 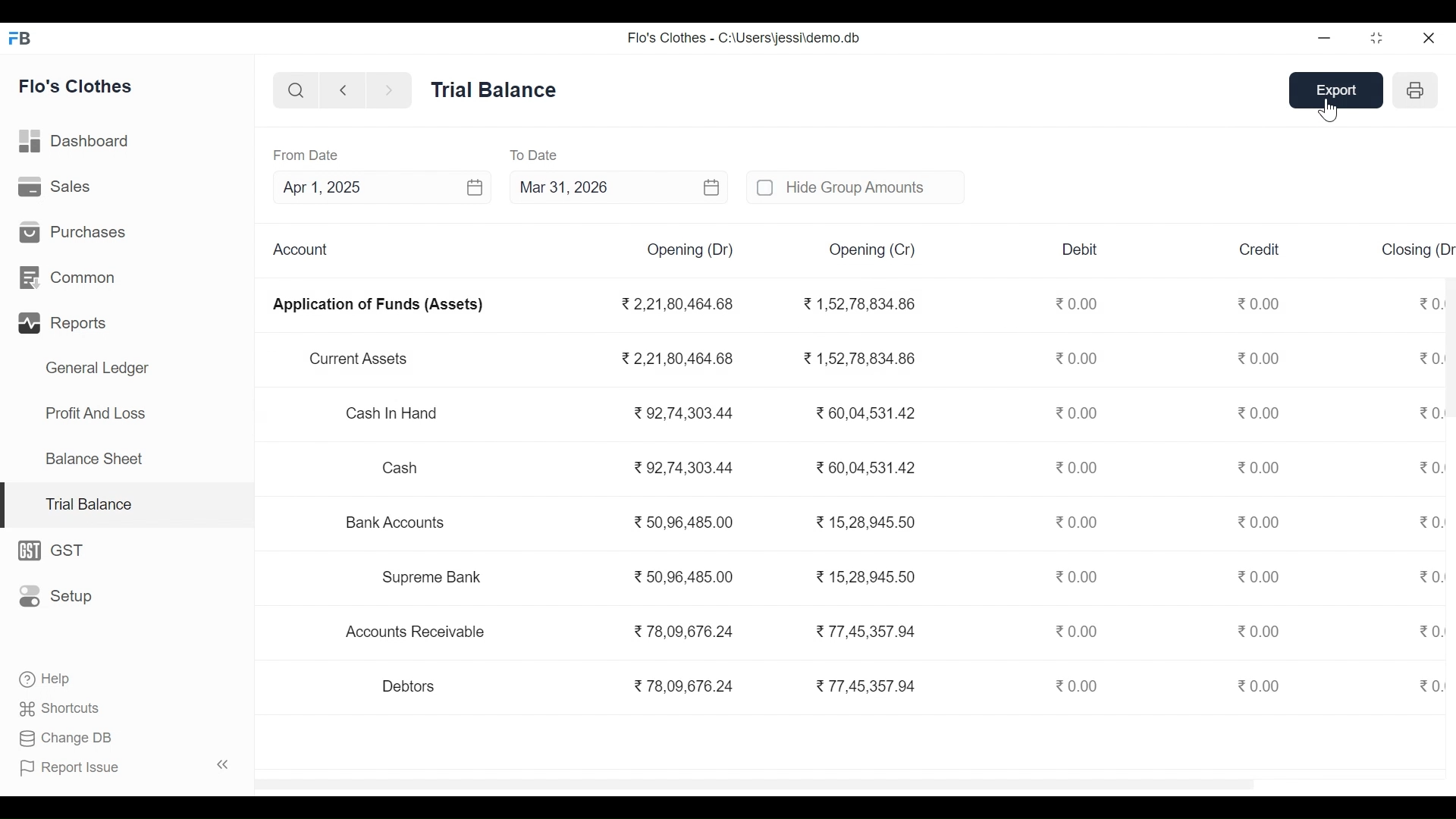 I want to click on 0.00, so click(x=1427, y=523).